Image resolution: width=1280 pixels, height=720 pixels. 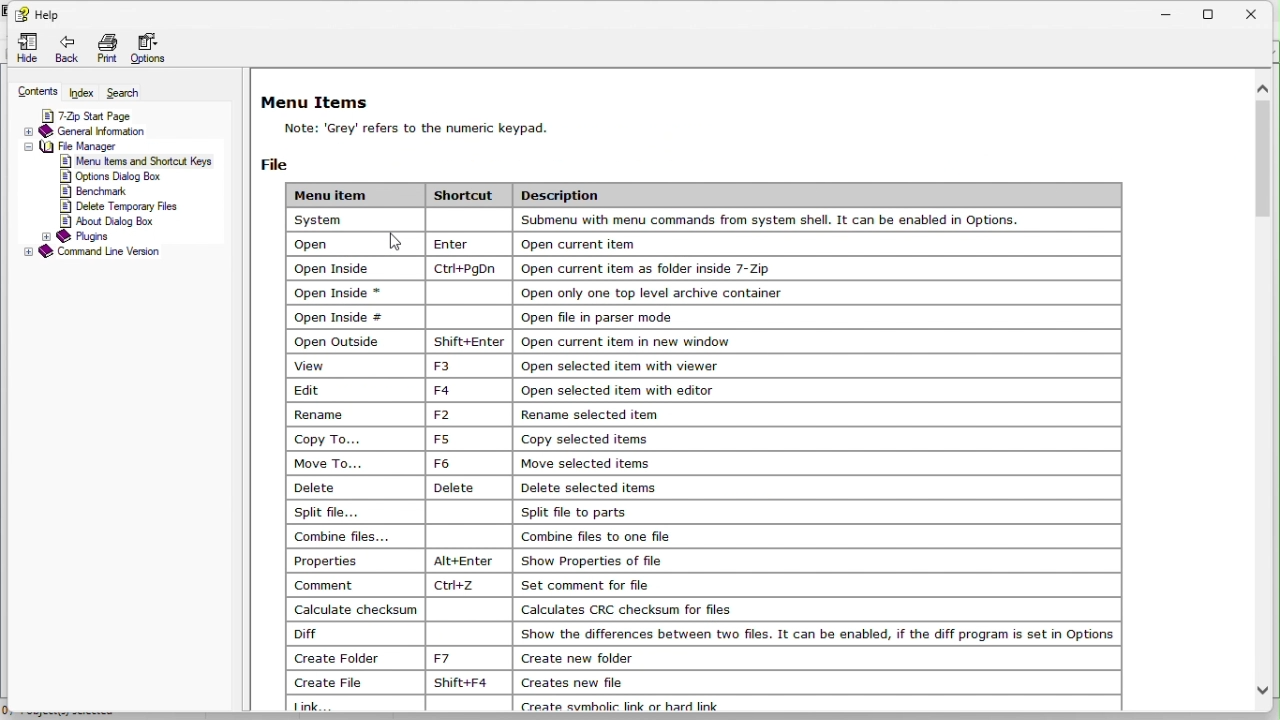 I want to click on | Comment | Cu+Z | Set comment for file, so click(x=483, y=585).